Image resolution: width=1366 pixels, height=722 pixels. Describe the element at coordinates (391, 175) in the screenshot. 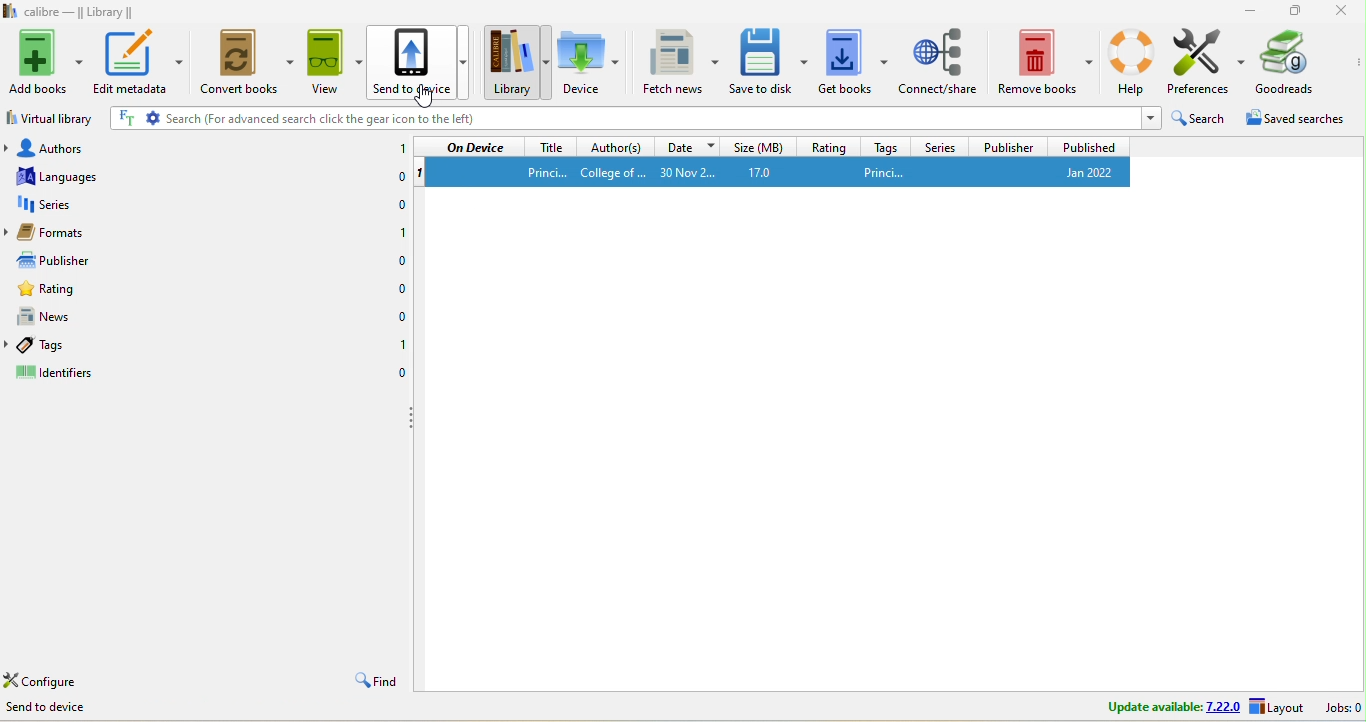

I see `0` at that location.